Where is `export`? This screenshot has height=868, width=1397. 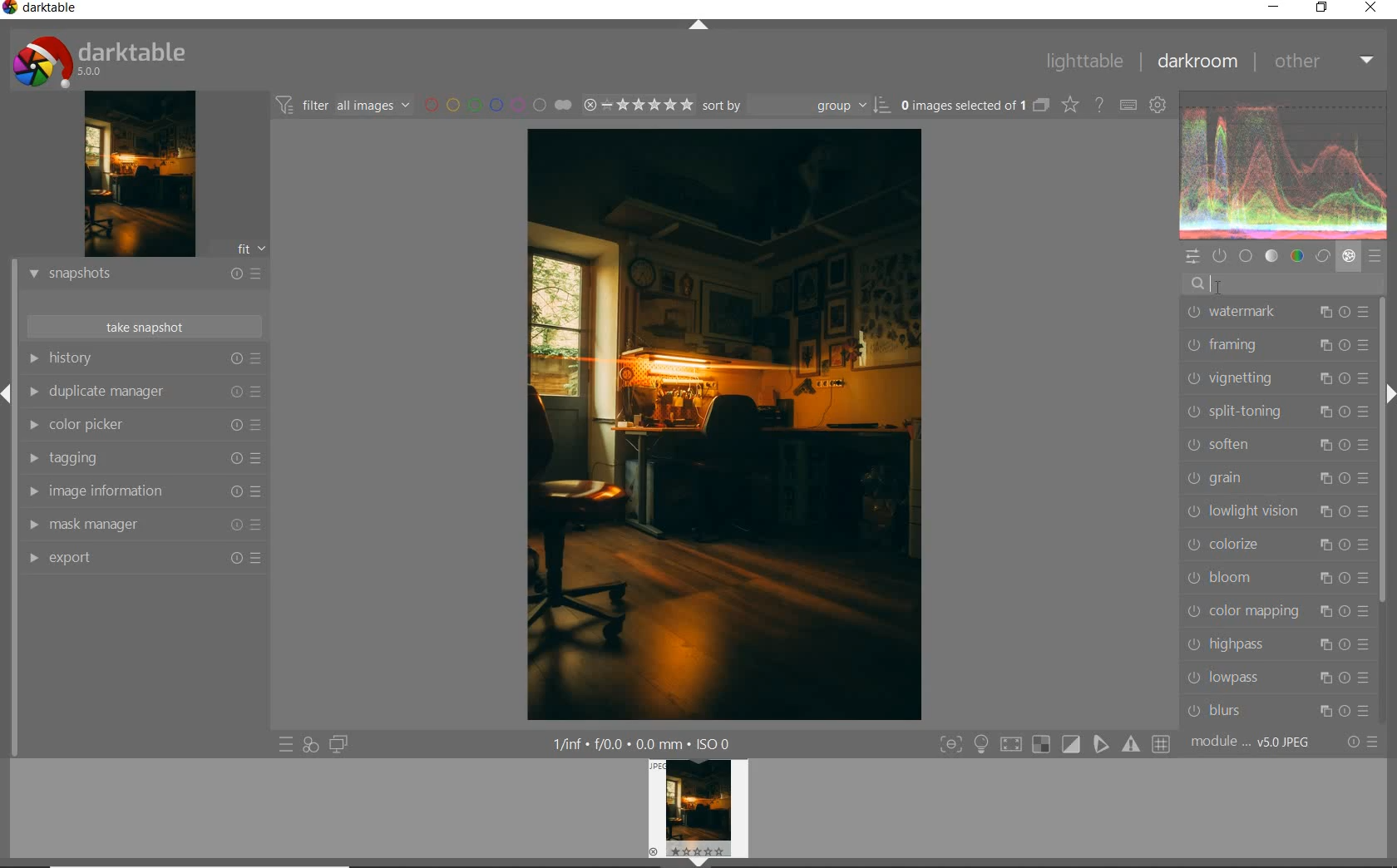 export is located at coordinates (143, 559).